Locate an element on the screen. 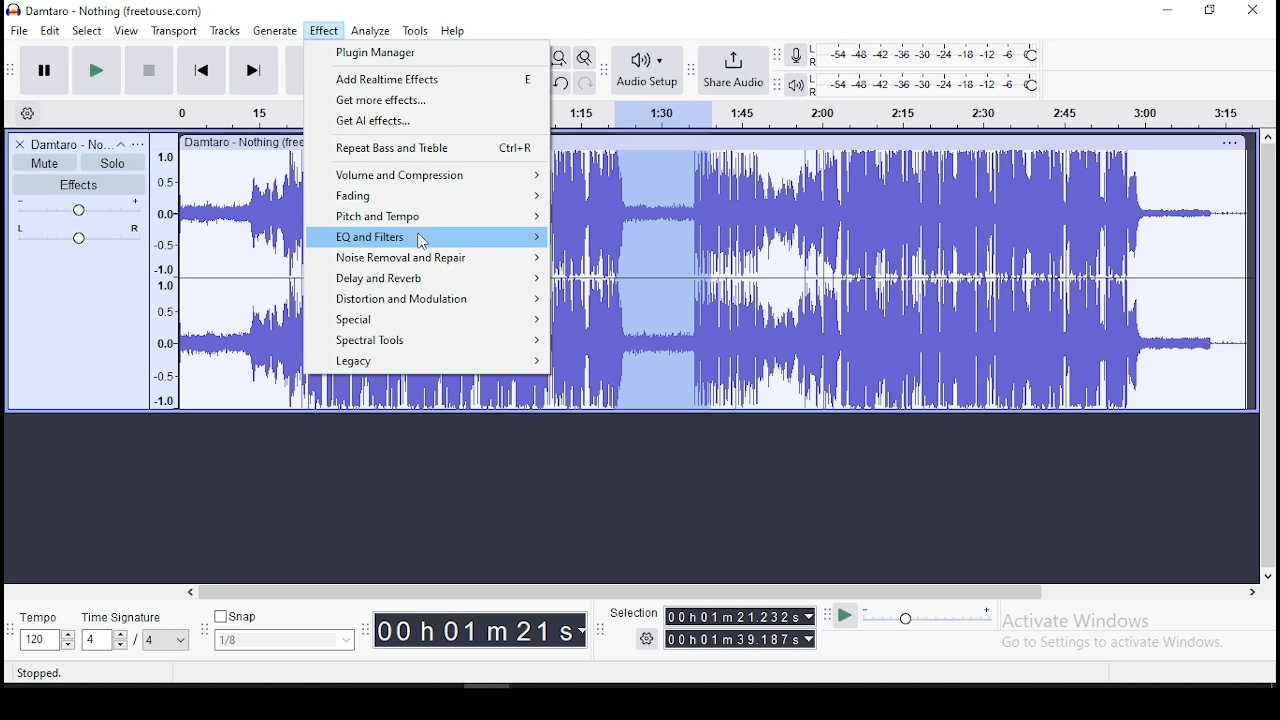 This screenshot has width=1280, height=720. play is located at coordinates (96, 71).